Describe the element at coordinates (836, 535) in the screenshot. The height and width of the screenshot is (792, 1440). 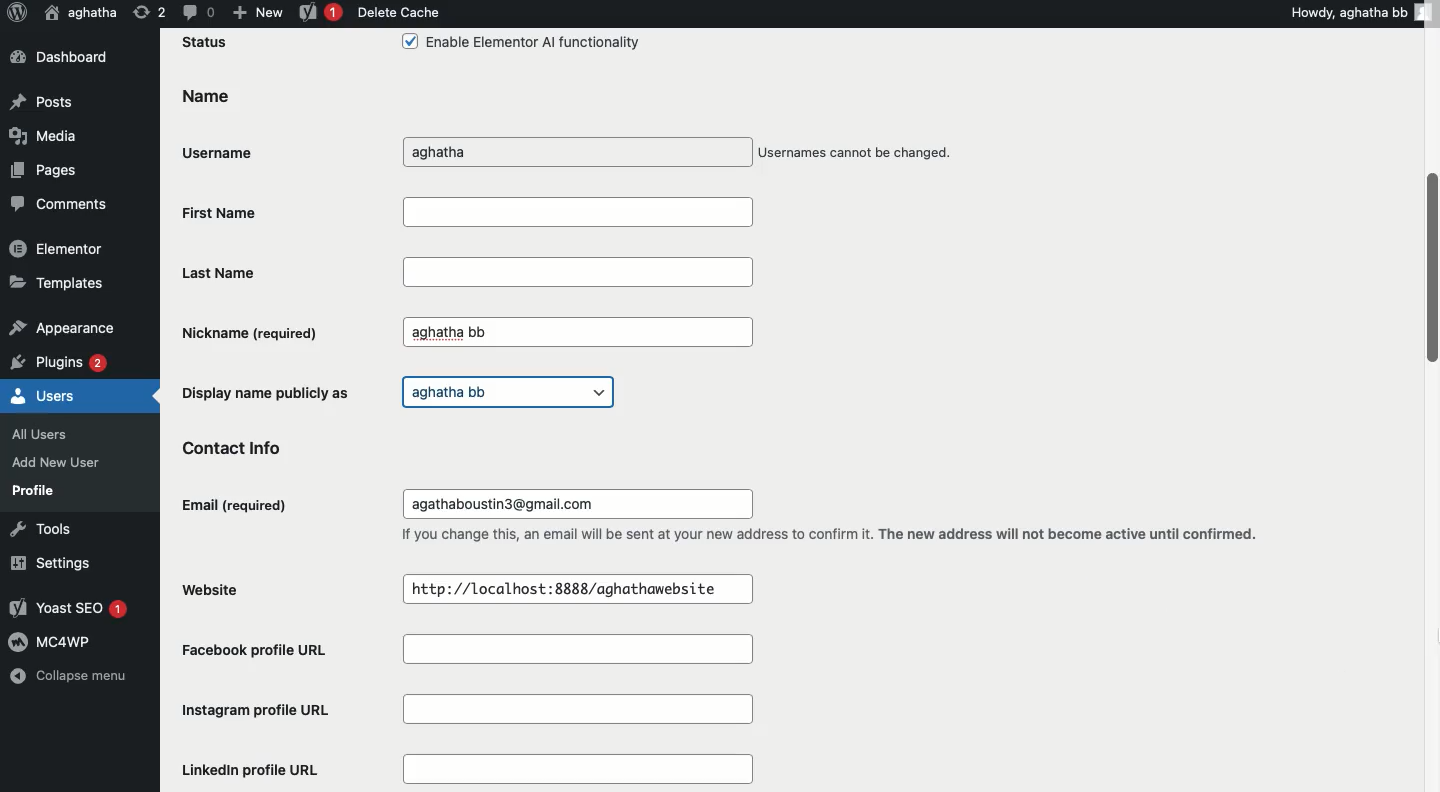
I see `If you change this, an email will be sent at your new address to confirm it. The new address will not become active until confirmed.` at that location.